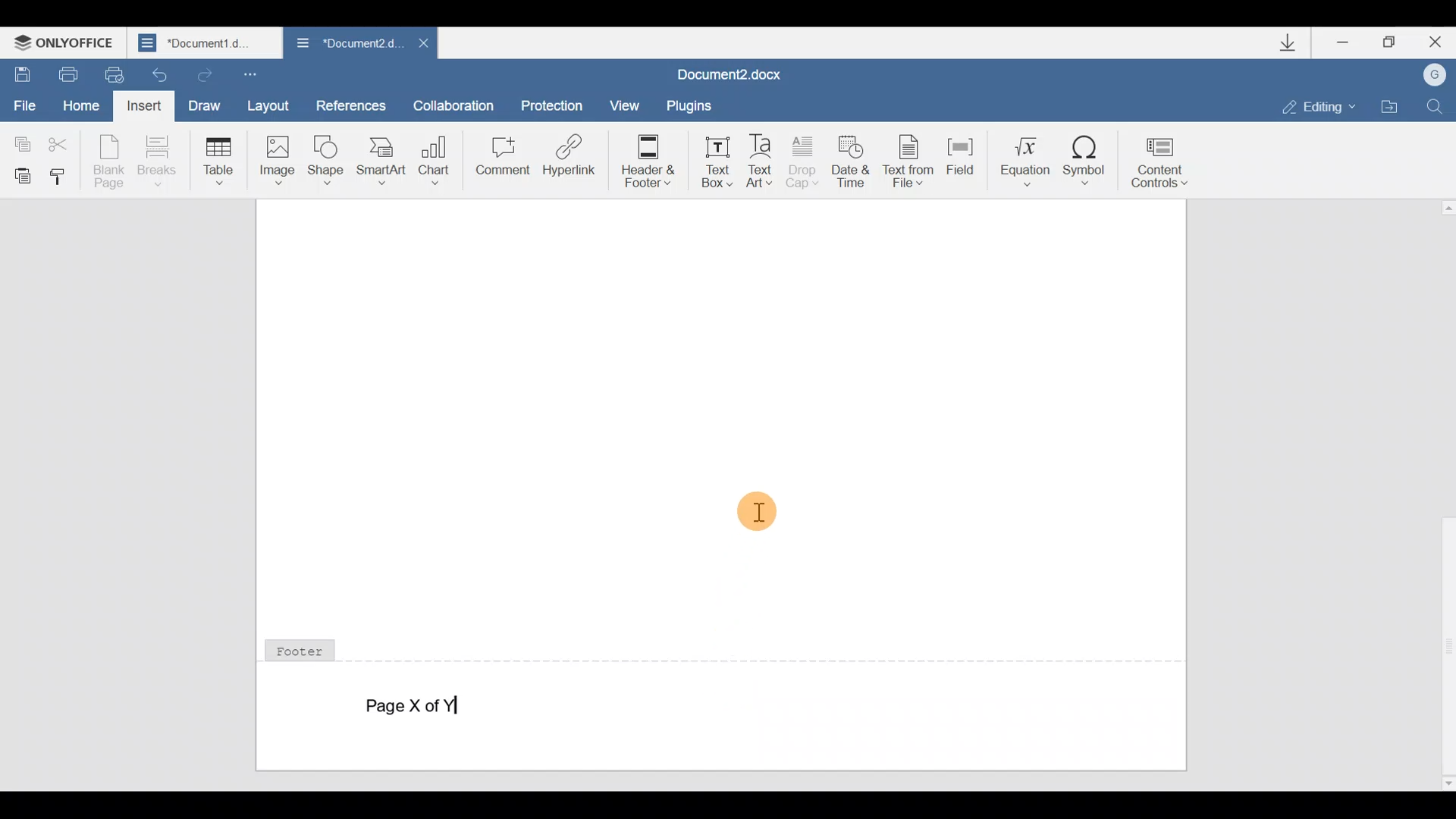 This screenshot has width=1456, height=819. I want to click on ONLYOFFICE, so click(68, 39).